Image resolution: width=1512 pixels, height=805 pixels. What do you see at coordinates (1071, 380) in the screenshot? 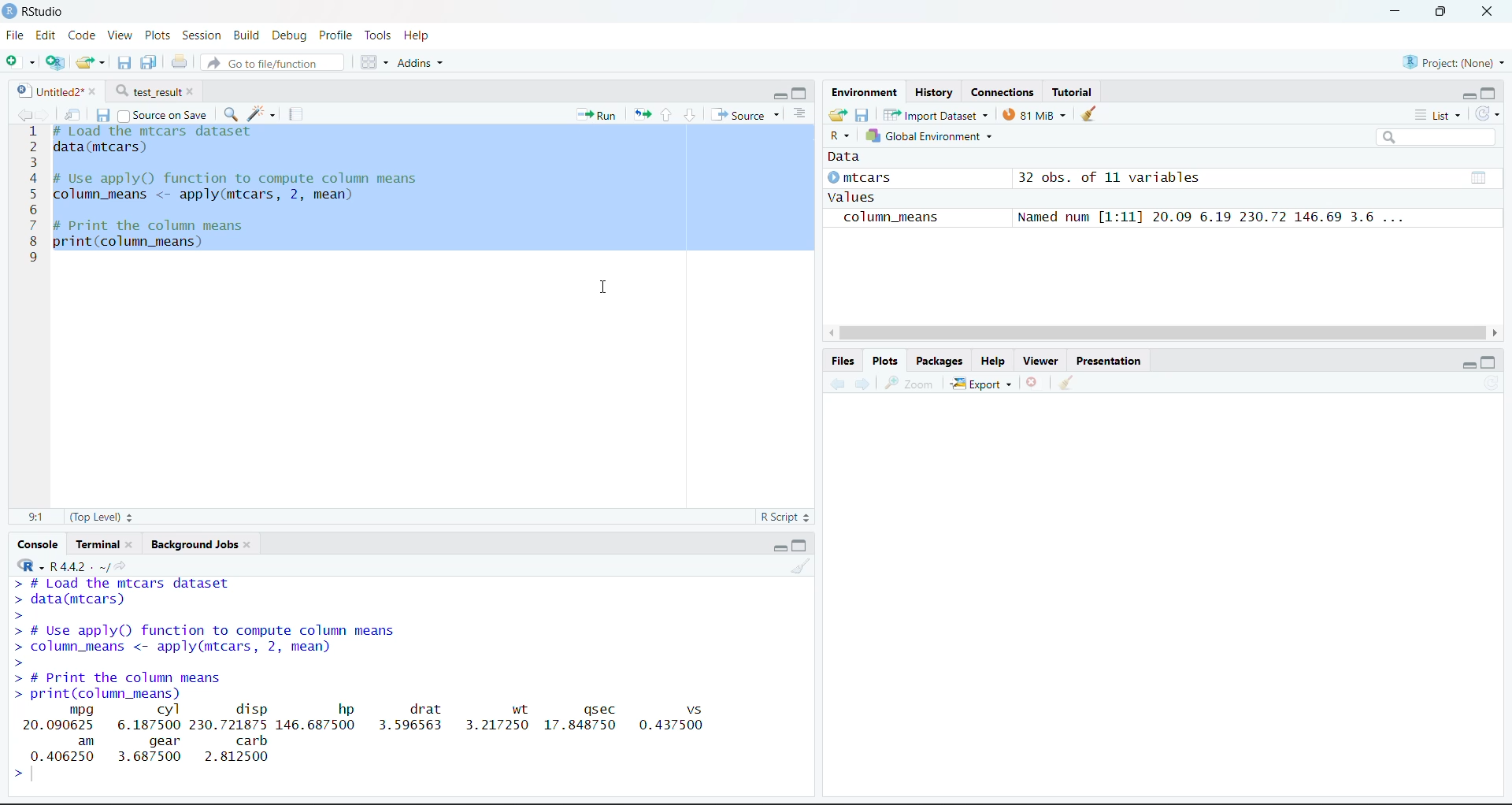
I see `Clear console (Ctrl +L)` at bounding box center [1071, 380].